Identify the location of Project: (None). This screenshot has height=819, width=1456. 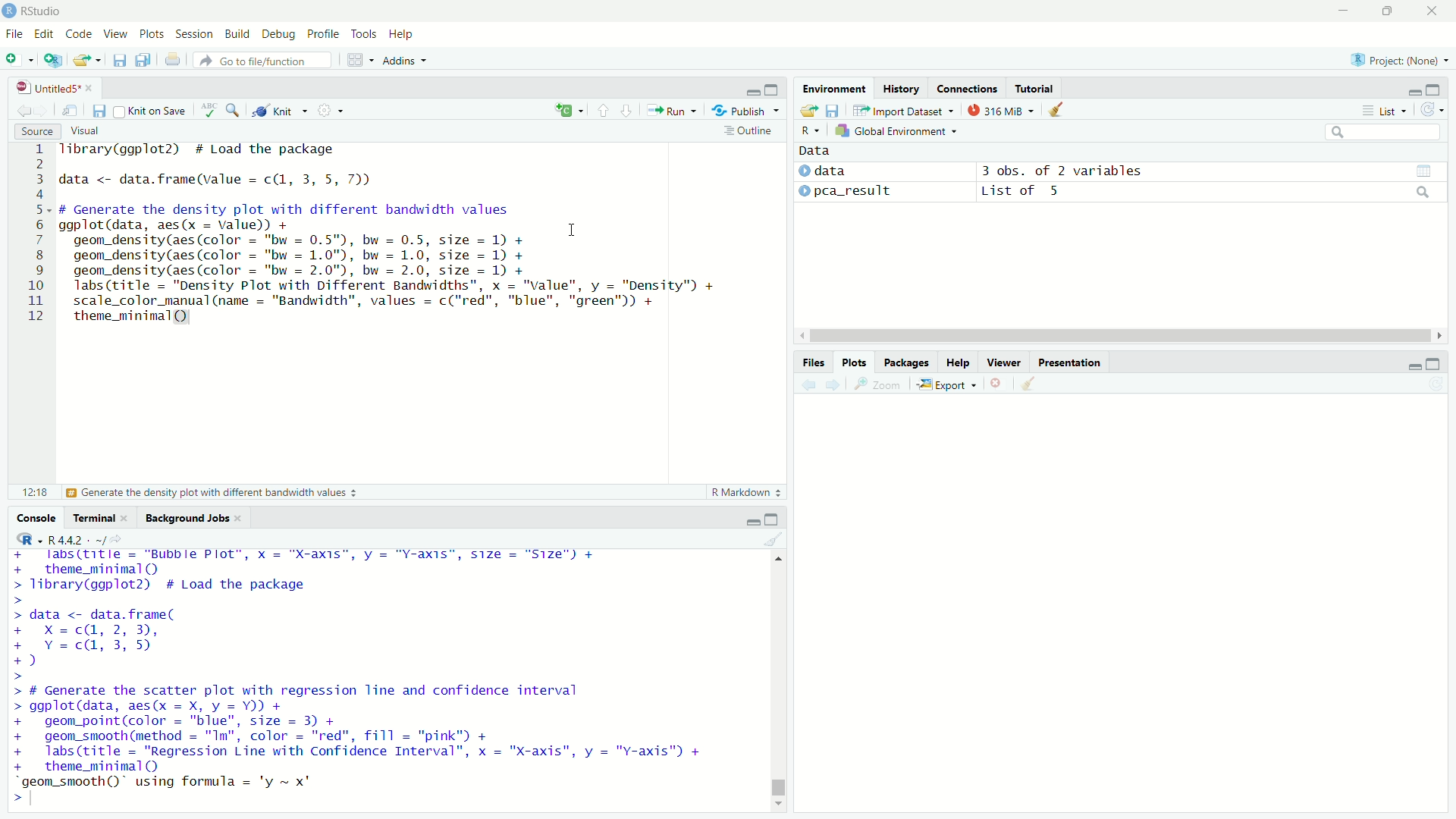
(1398, 58).